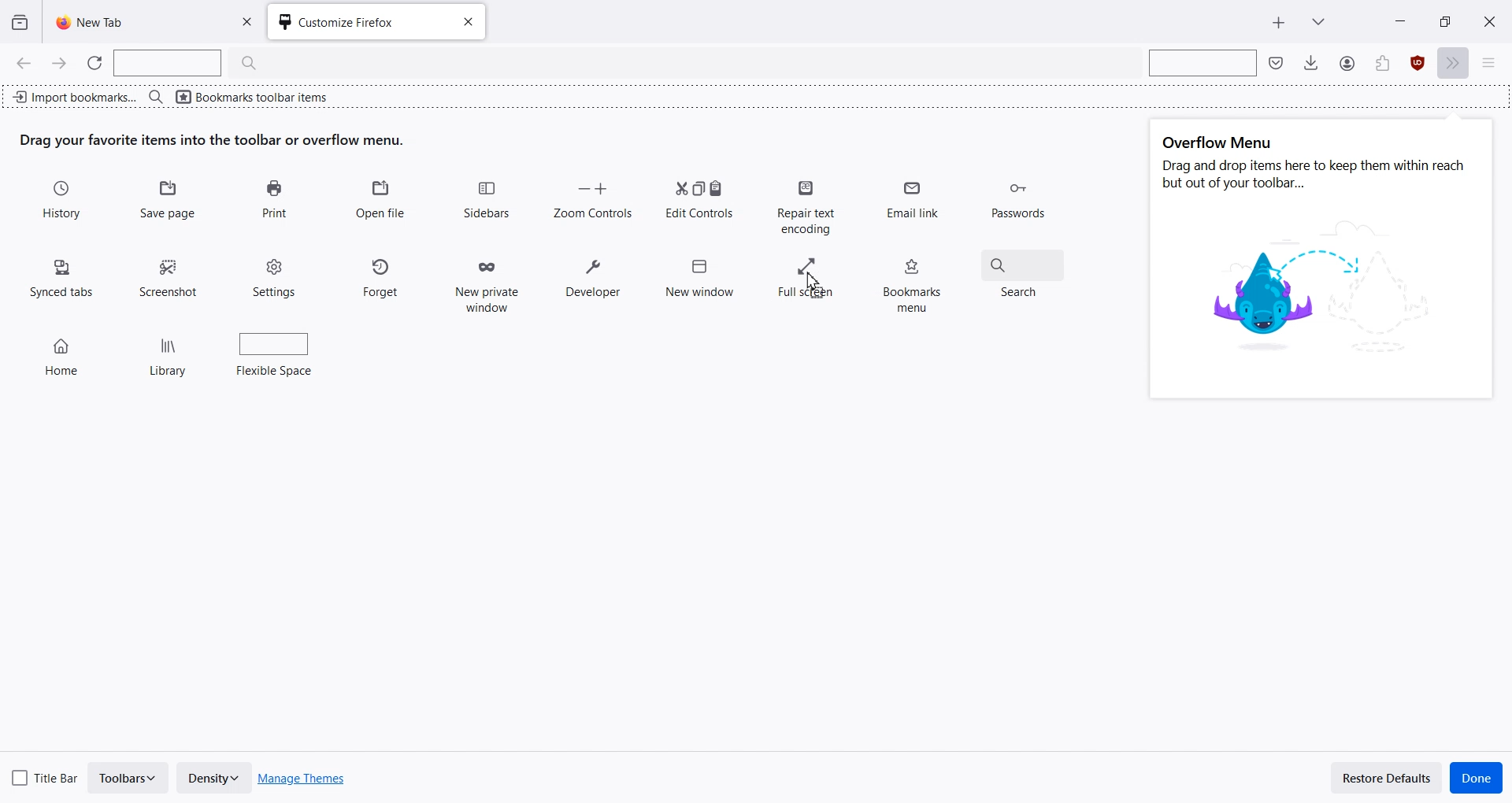  Describe the element at coordinates (1346, 63) in the screenshot. I see `Save to Pocket` at that location.